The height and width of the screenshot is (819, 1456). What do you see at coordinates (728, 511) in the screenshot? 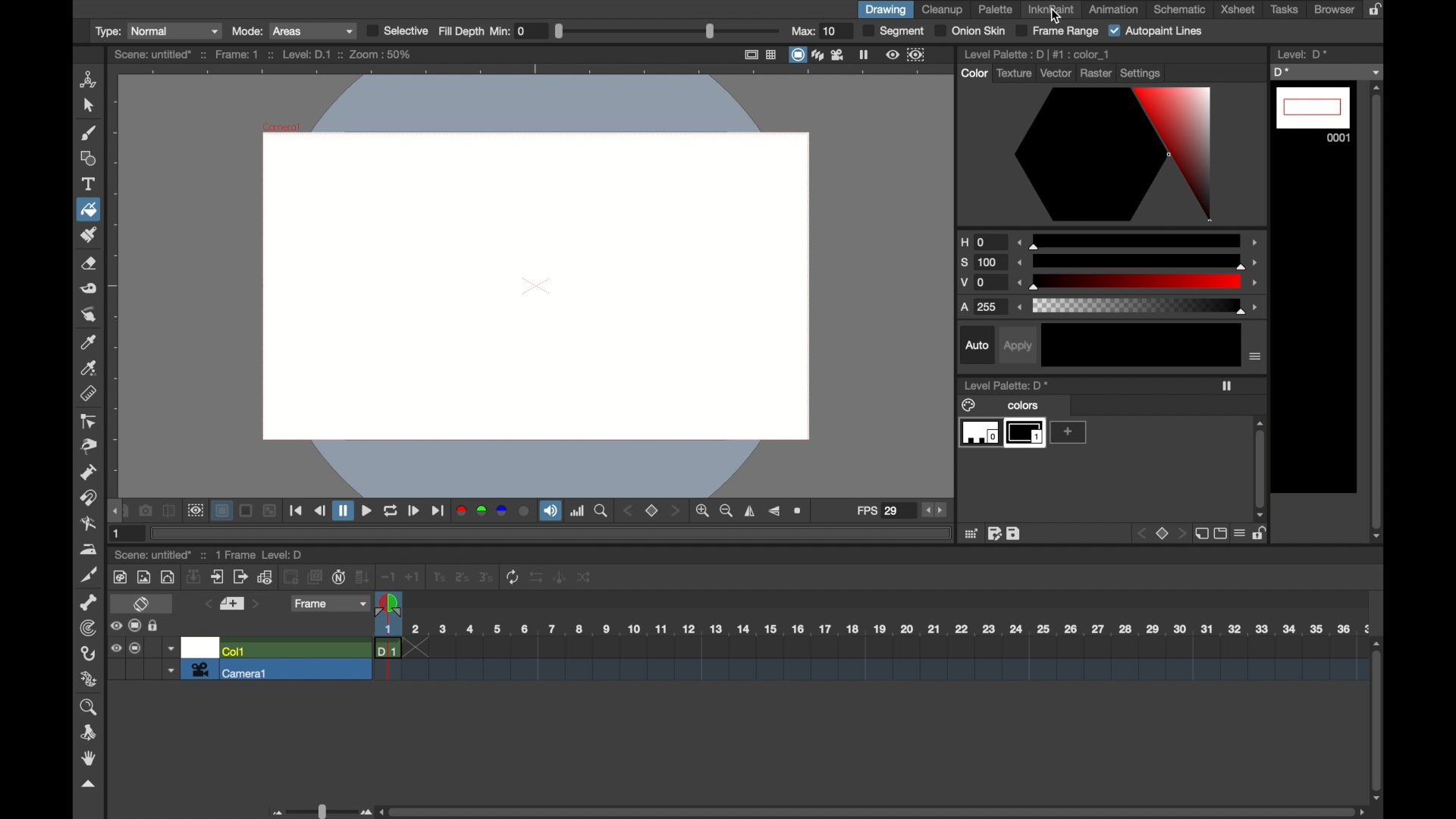
I see `zoom out` at bounding box center [728, 511].